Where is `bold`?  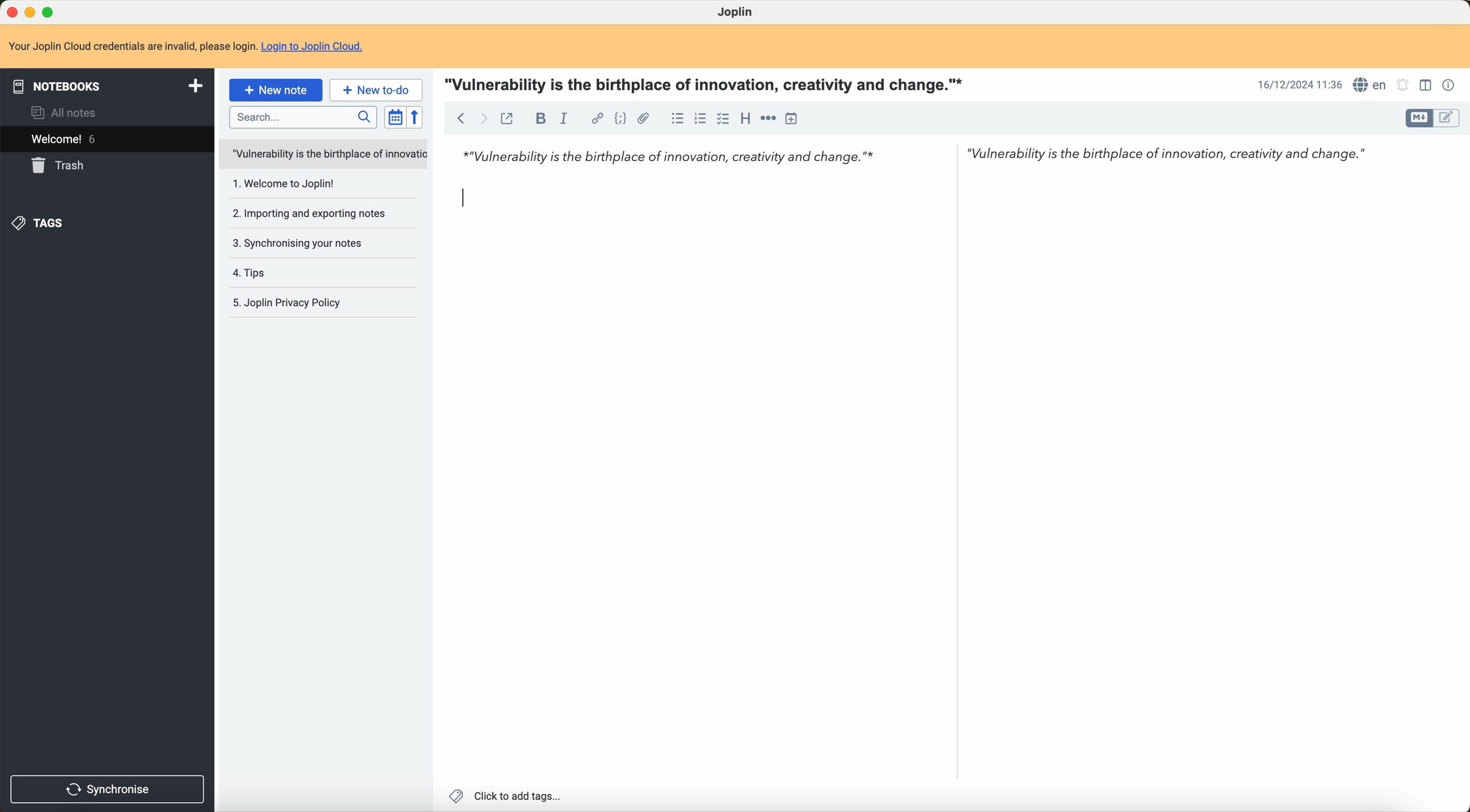 bold is located at coordinates (538, 118).